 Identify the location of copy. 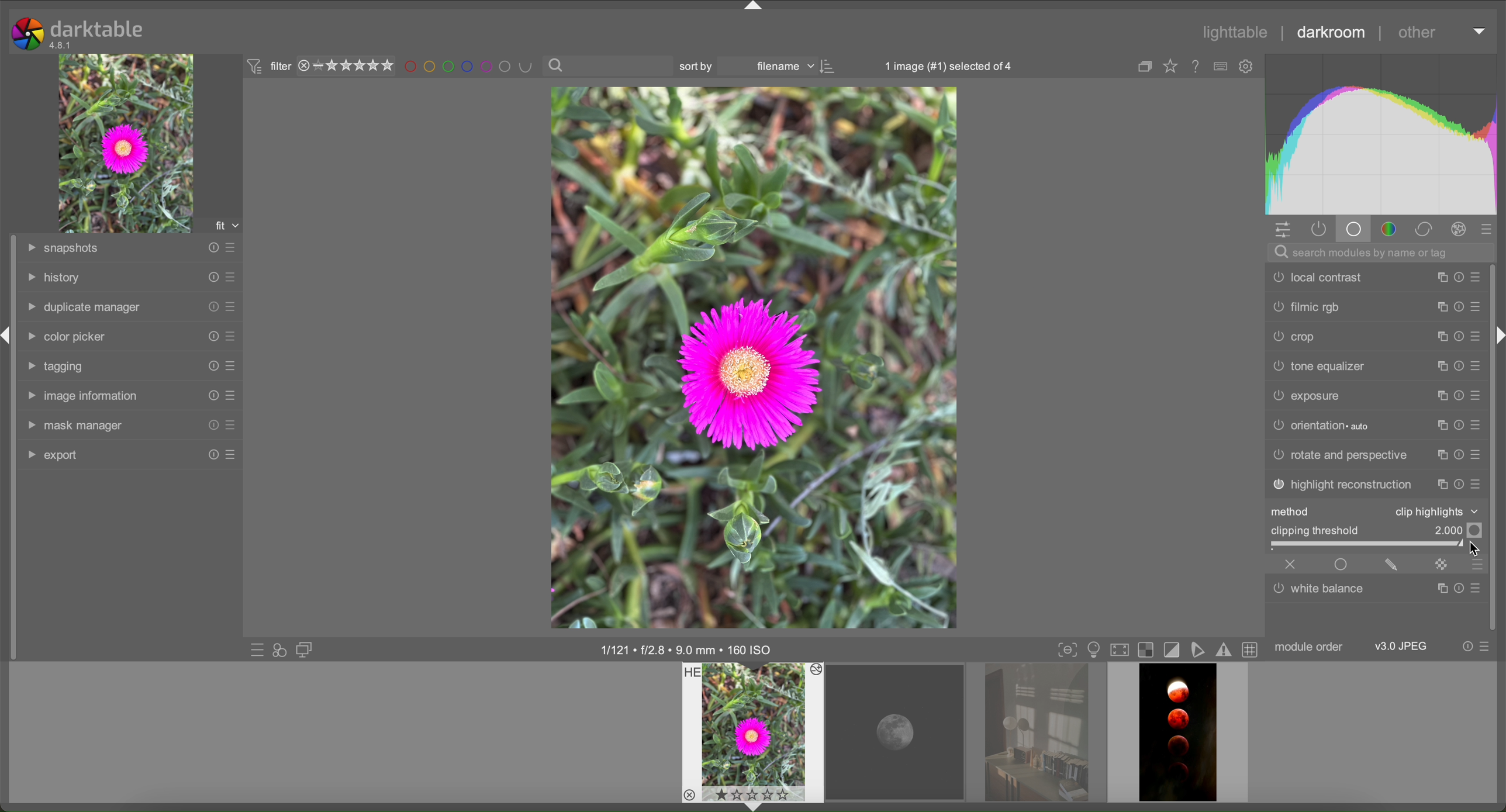
(1438, 365).